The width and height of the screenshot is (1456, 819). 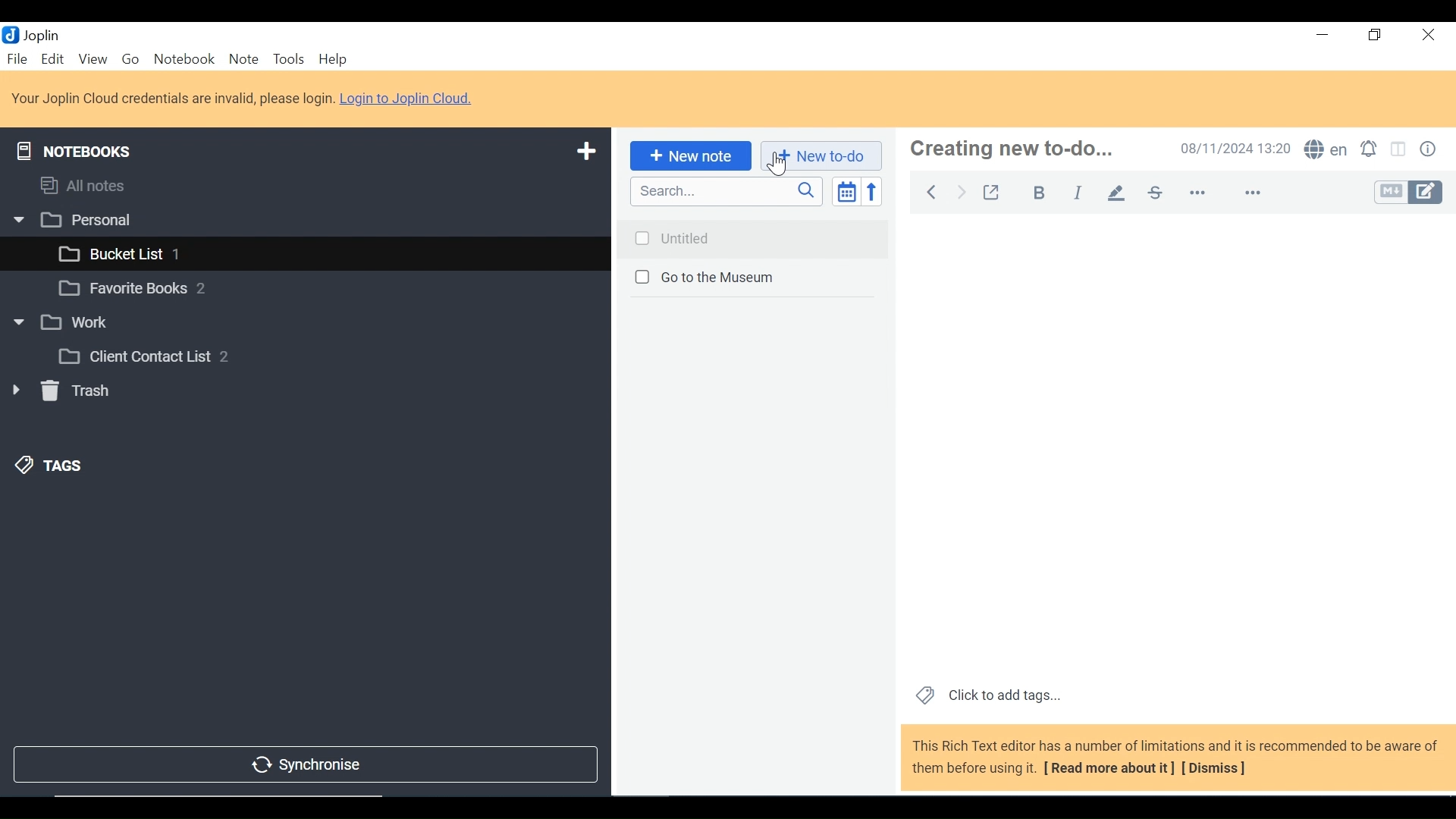 I want to click on Note Properties, so click(x=1430, y=149).